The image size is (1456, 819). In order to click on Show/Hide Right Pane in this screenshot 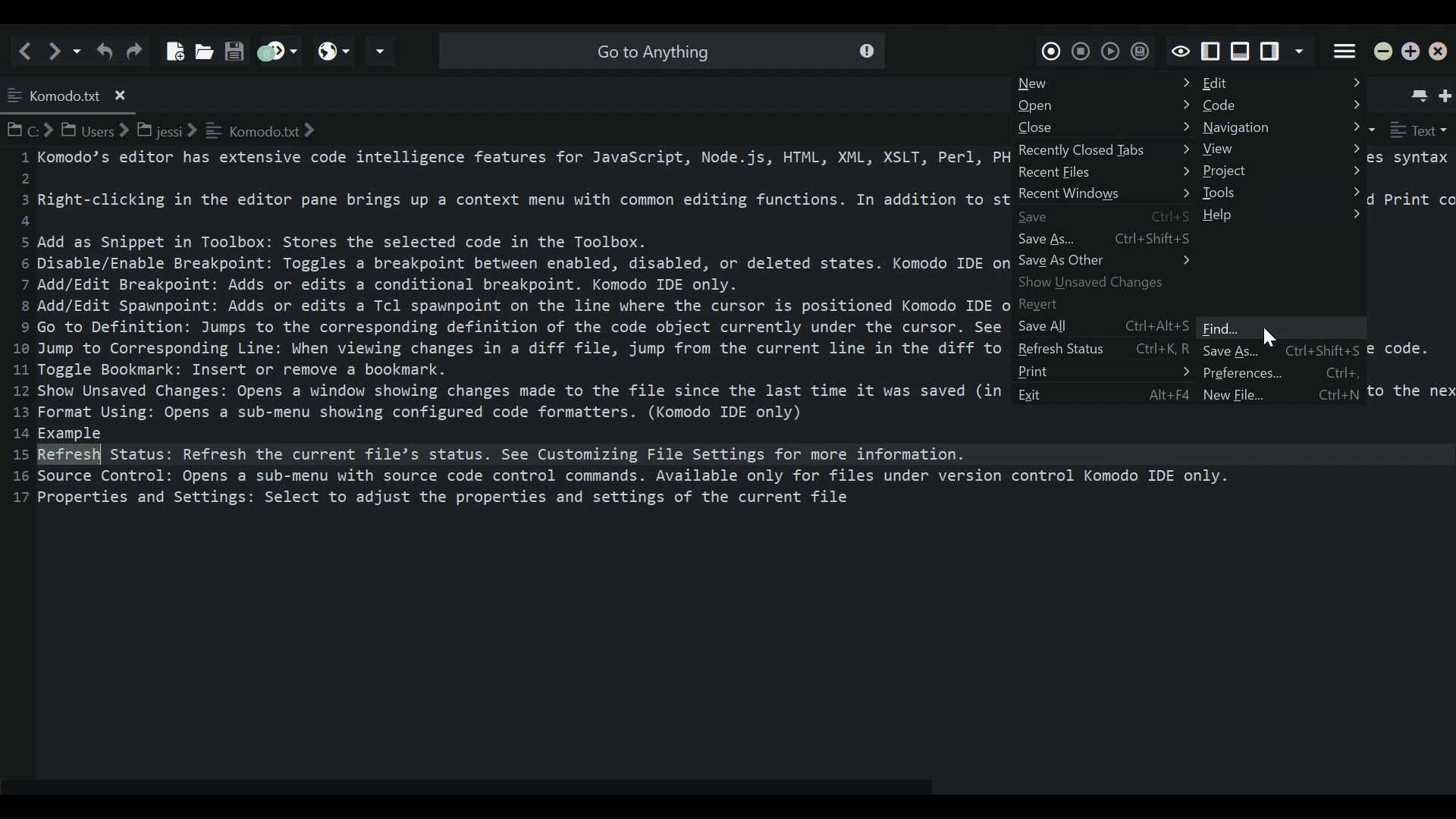, I will do `click(1211, 52)`.